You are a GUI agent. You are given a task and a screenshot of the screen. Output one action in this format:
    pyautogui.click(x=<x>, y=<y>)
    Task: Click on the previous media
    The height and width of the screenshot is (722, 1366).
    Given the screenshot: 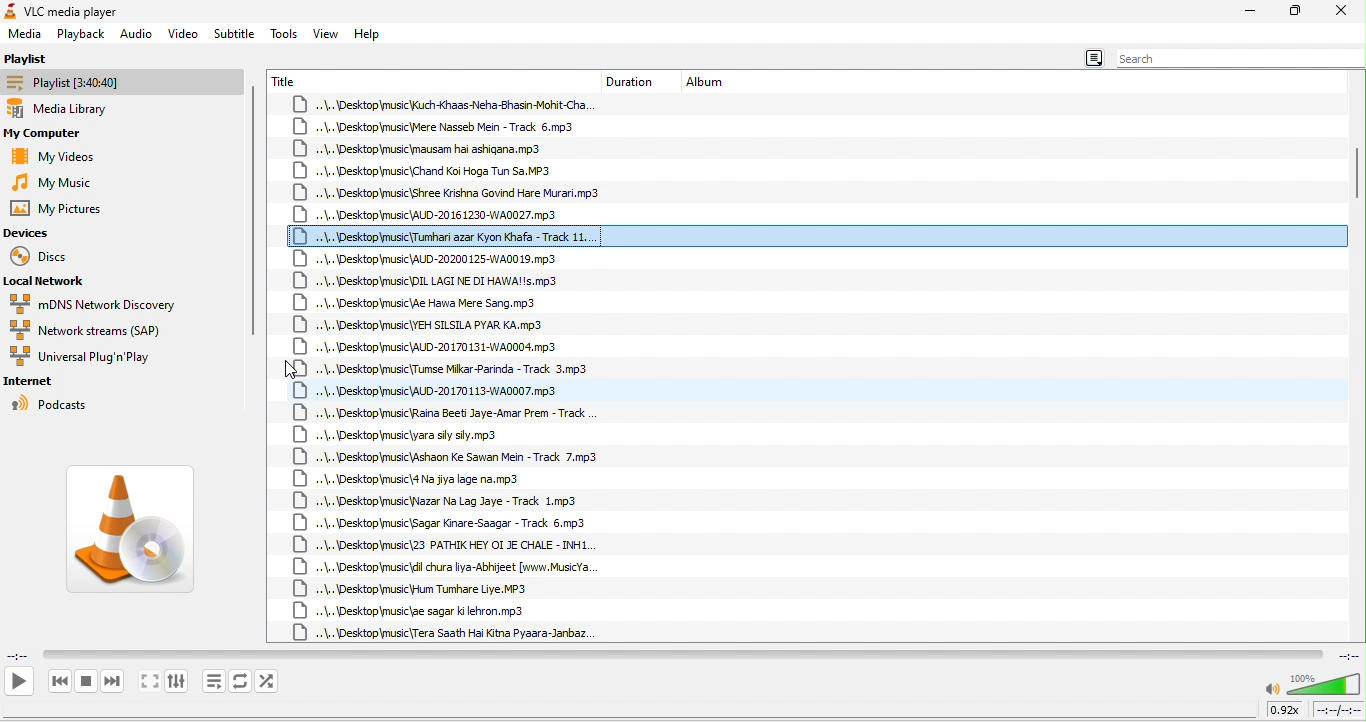 What is the action you would take?
    pyautogui.click(x=59, y=682)
    